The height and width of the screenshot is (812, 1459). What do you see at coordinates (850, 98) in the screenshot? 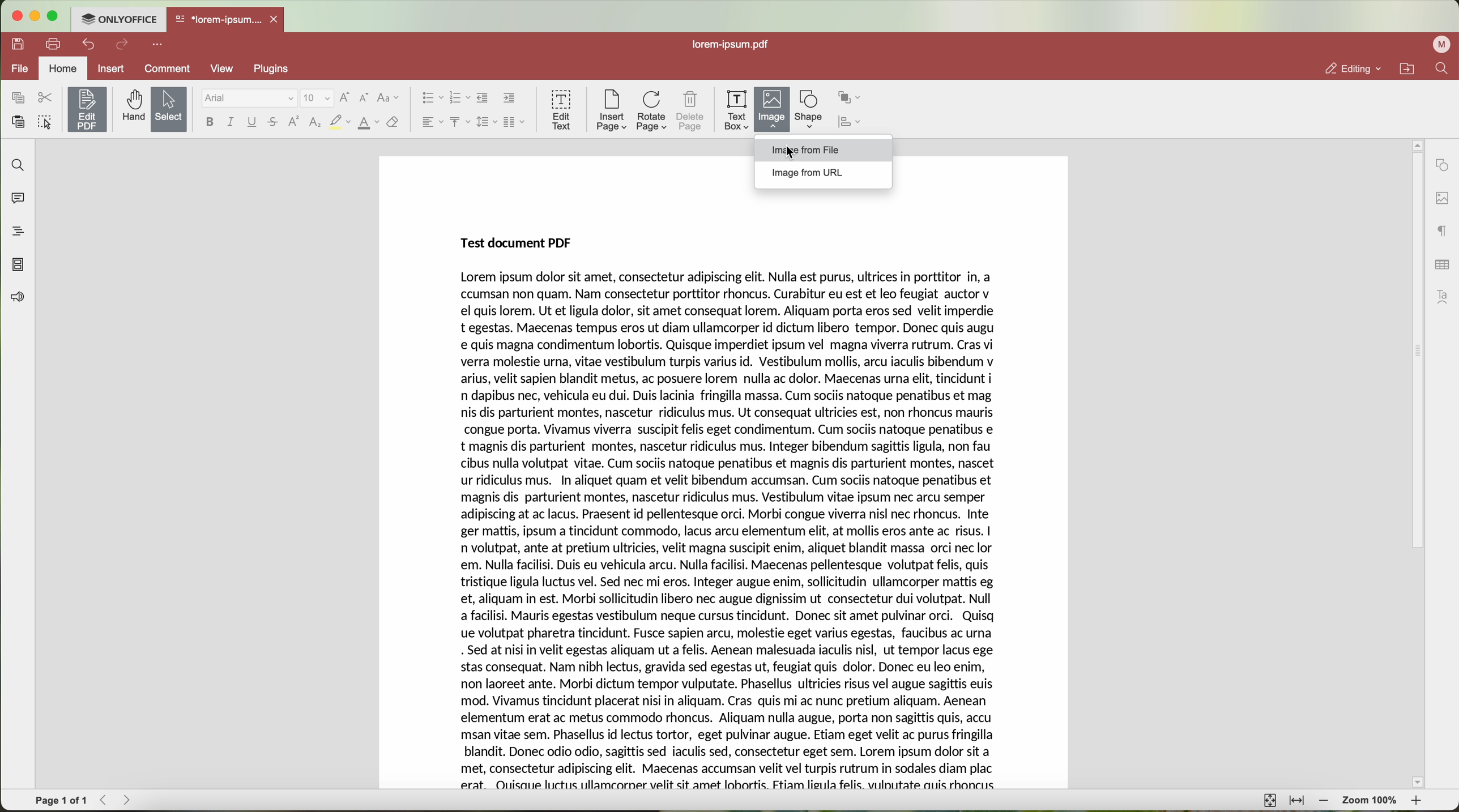
I see `arrange shape` at bounding box center [850, 98].